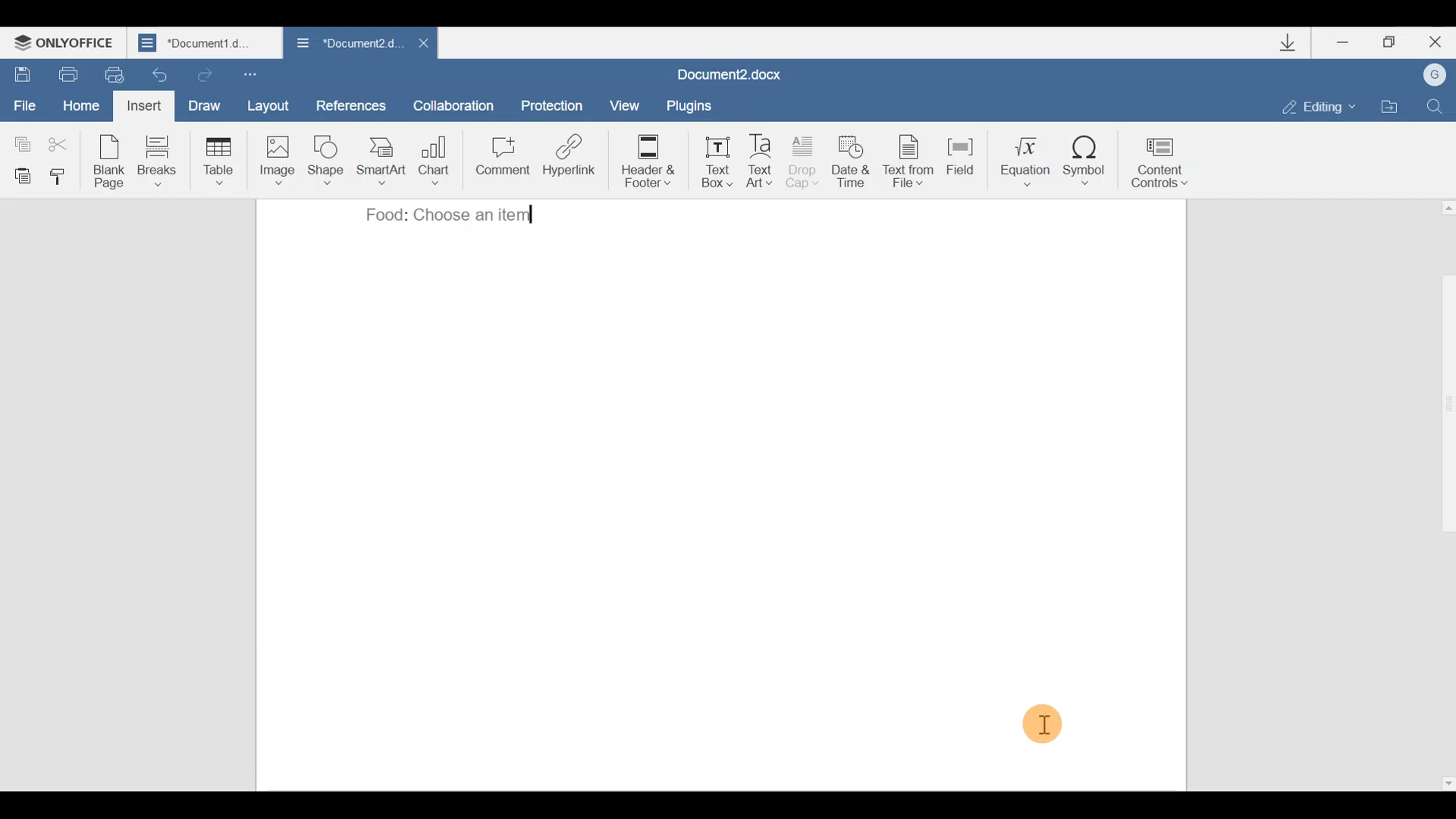 Image resolution: width=1456 pixels, height=819 pixels. I want to click on Undo, so click(161, 74).